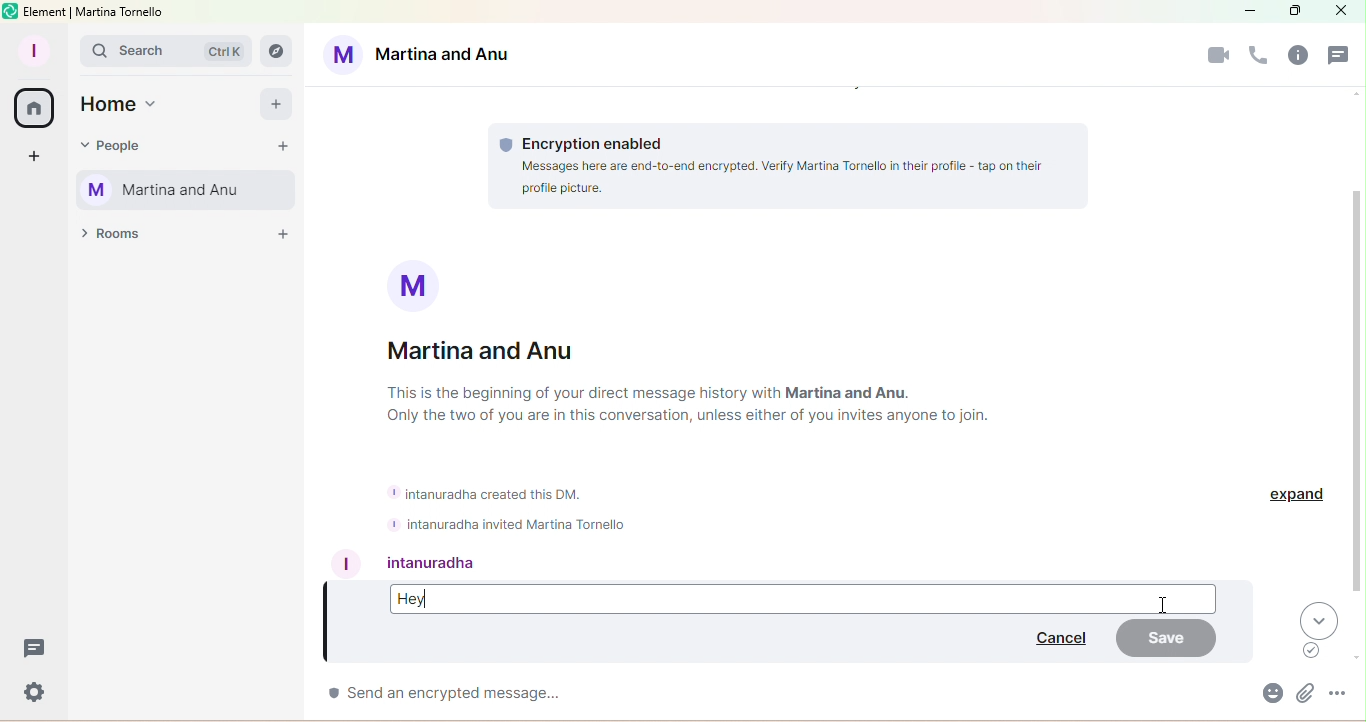  Describe the element at coordinates (439, 562) in the screenshot. I see `Intanuradha` at that location.